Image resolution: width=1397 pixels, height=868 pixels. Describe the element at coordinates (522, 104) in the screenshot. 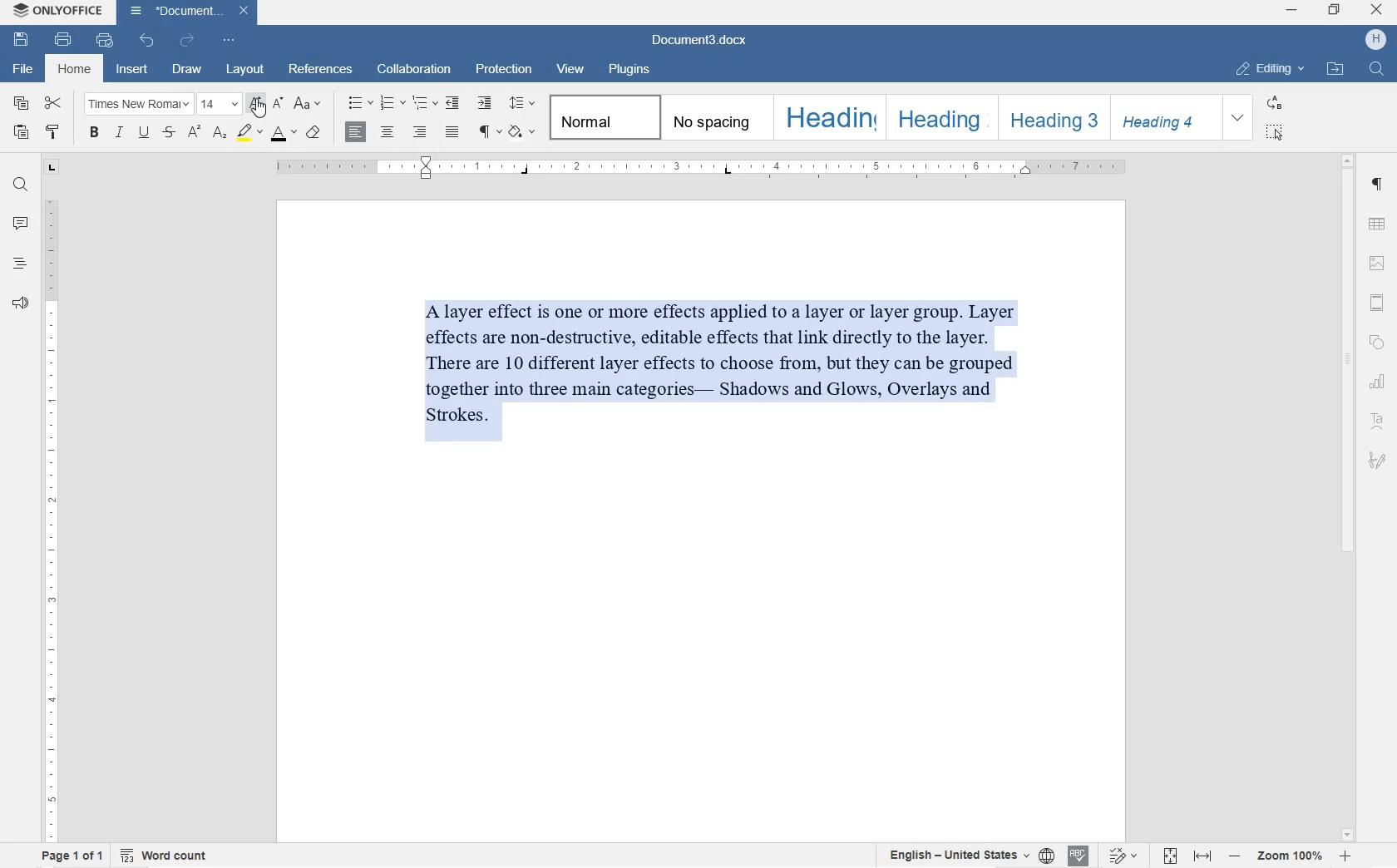

I see `PARAGRAPH LINE SPACING` at that location.